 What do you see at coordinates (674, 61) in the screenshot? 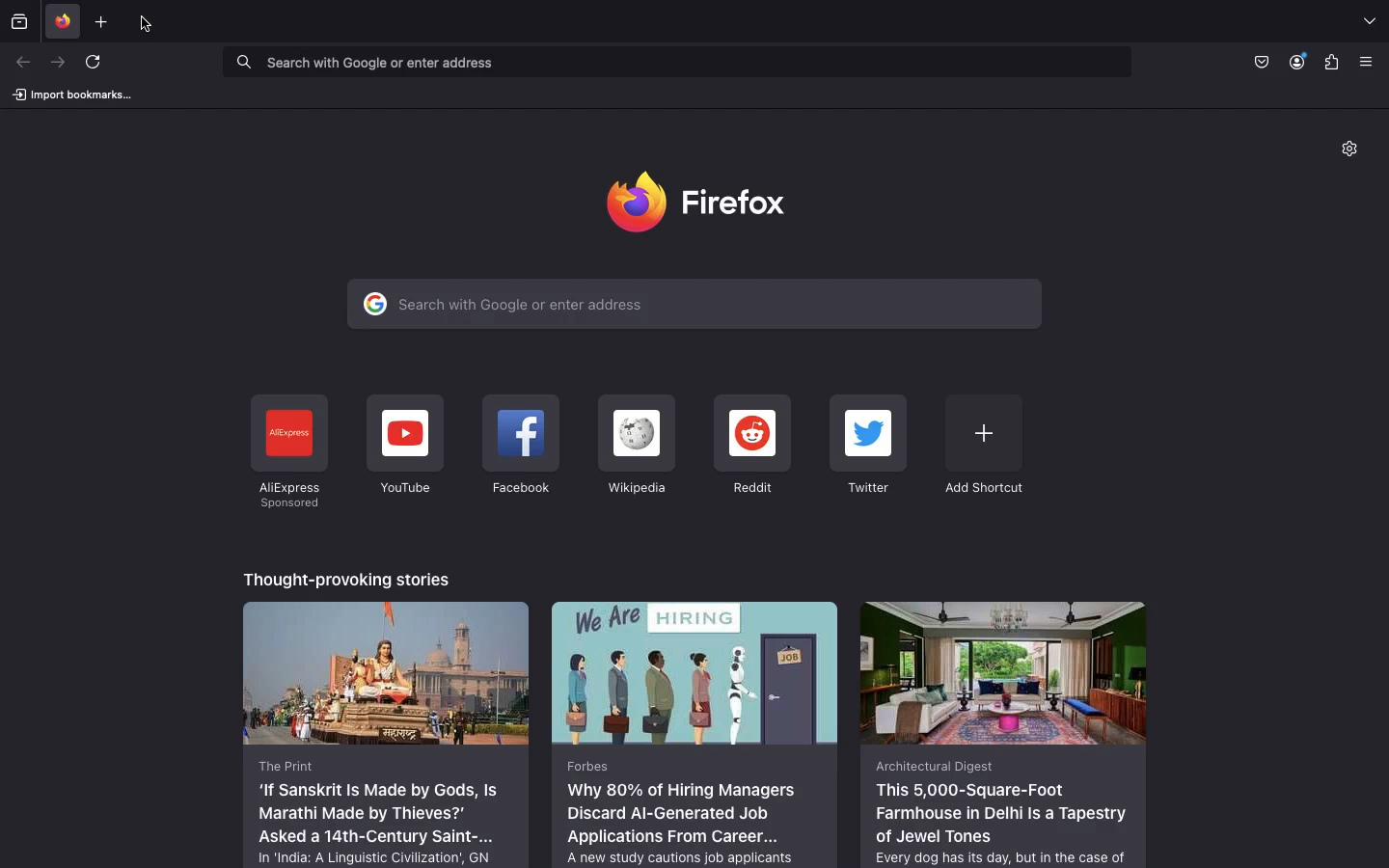
I see `Search bar` at bounding box center [674, 61].